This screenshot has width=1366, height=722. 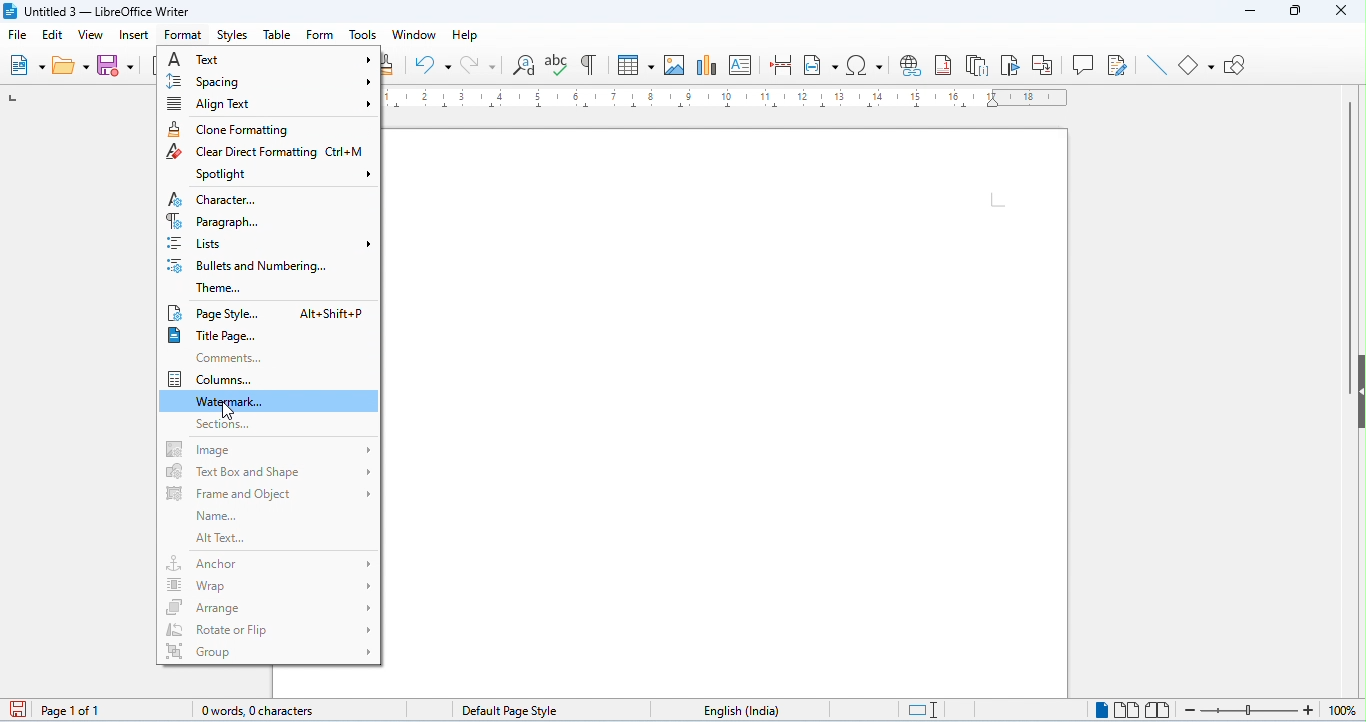 What do you see at coordinates (1361, 390) in the screenshot?
I see `hidebar` at bounding box center [1361, 390].